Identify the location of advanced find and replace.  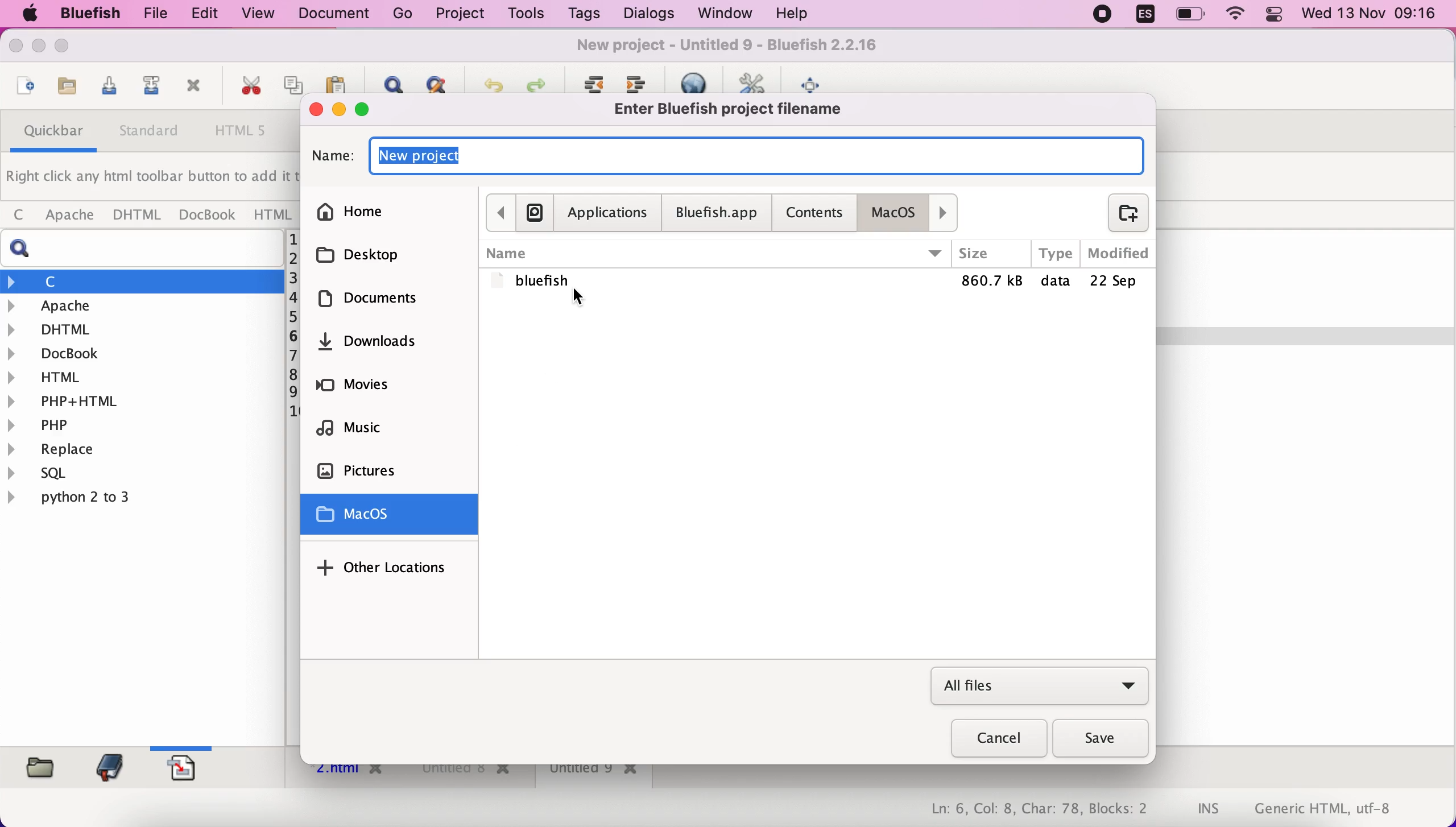
(436, 83).